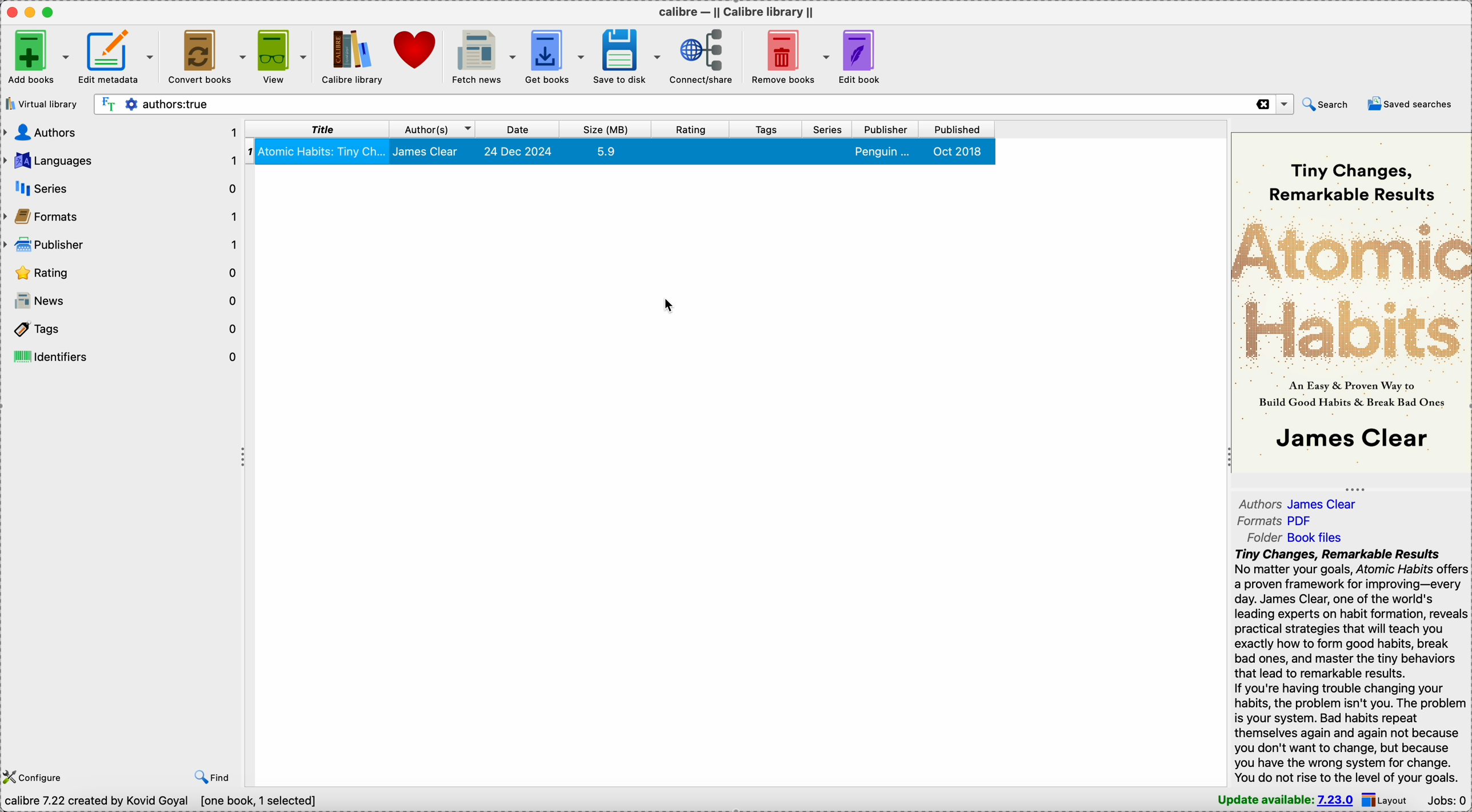  Describe the element at coordinates (482, 58) in the screenshot. I see `fetch news` at that location.